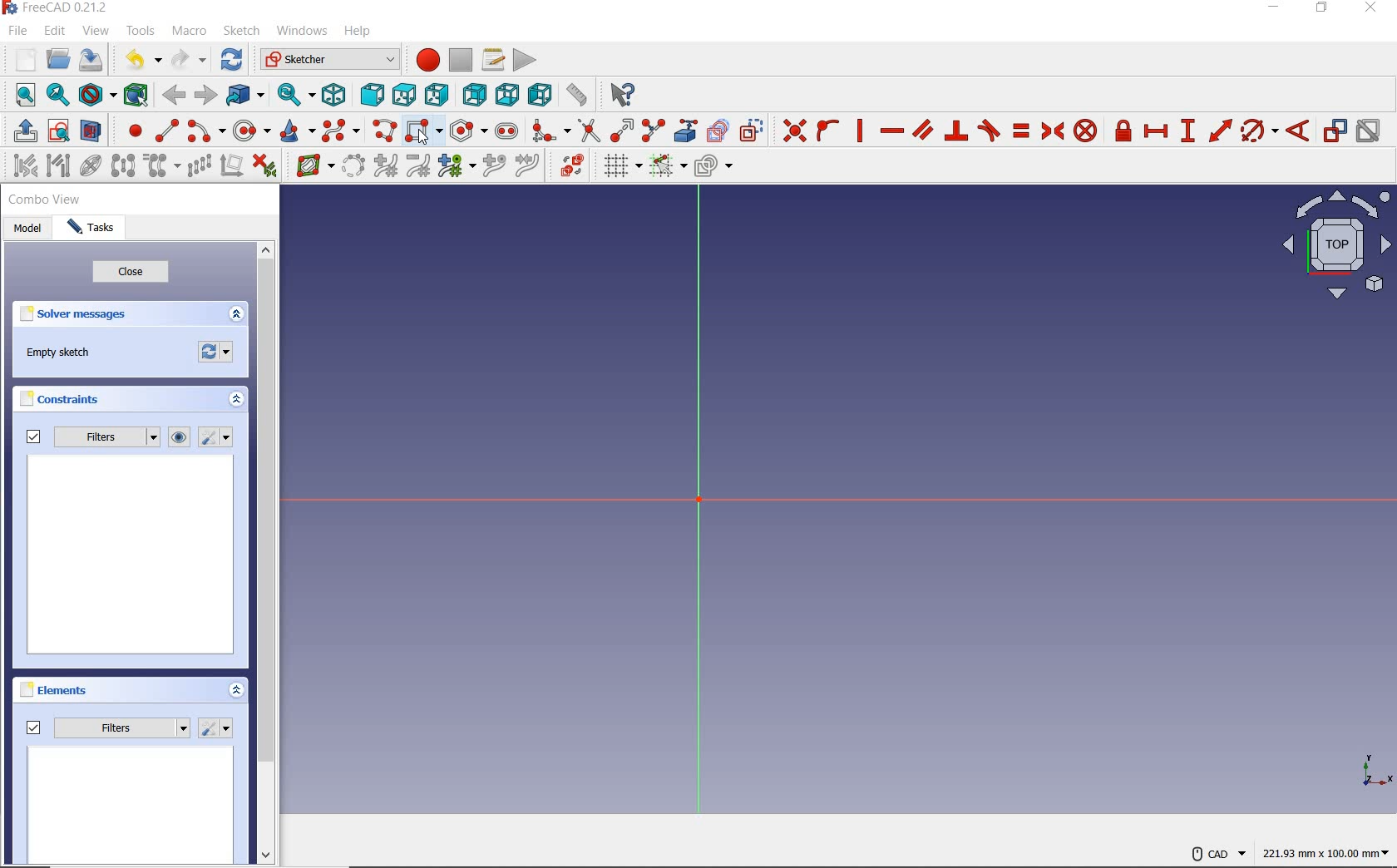 The width and height of the screenshot is (1397, 868). I want to click on remove axes alignment, so click(231, 166).